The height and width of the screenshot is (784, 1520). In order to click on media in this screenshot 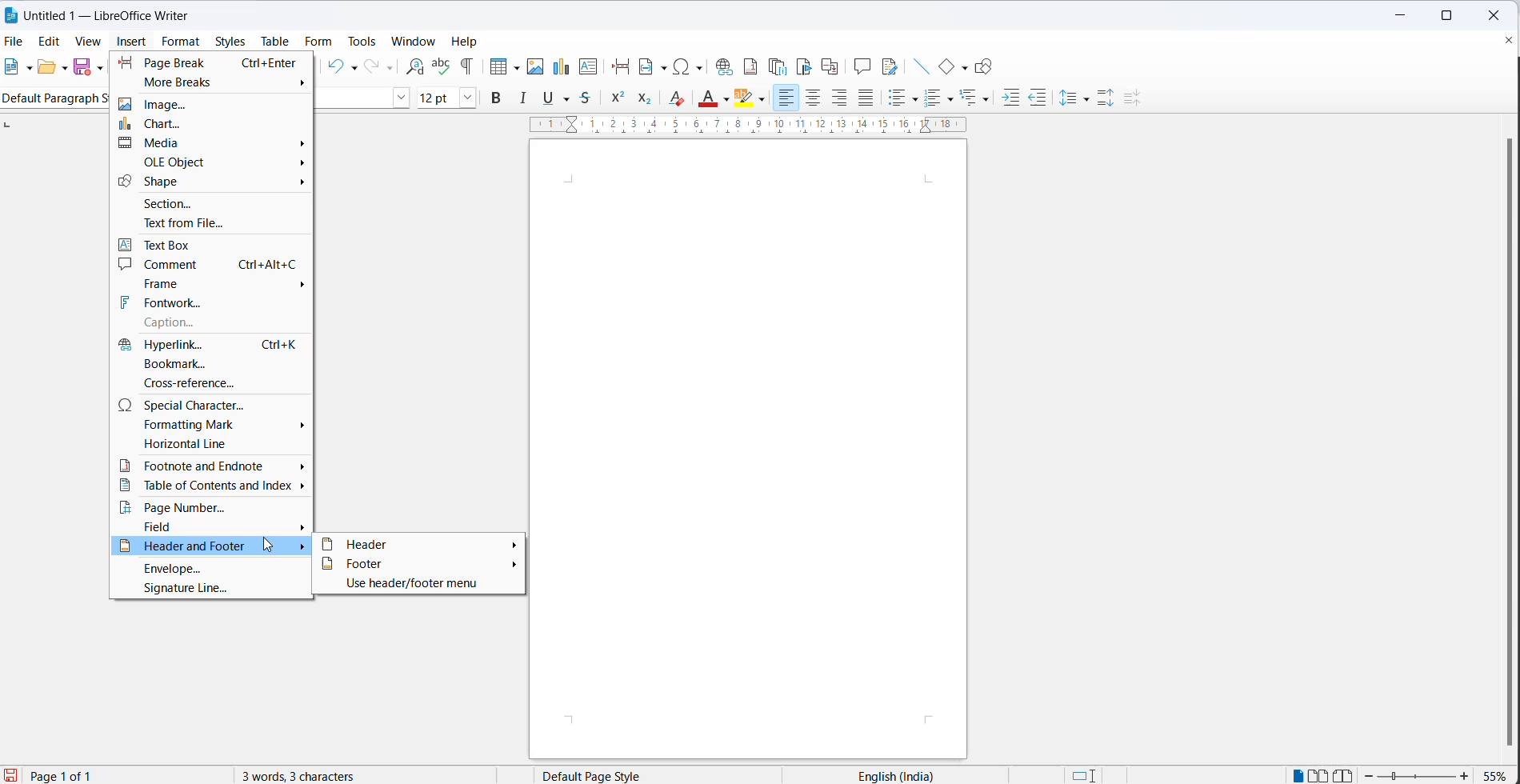, I will do `click(211, 143)`.